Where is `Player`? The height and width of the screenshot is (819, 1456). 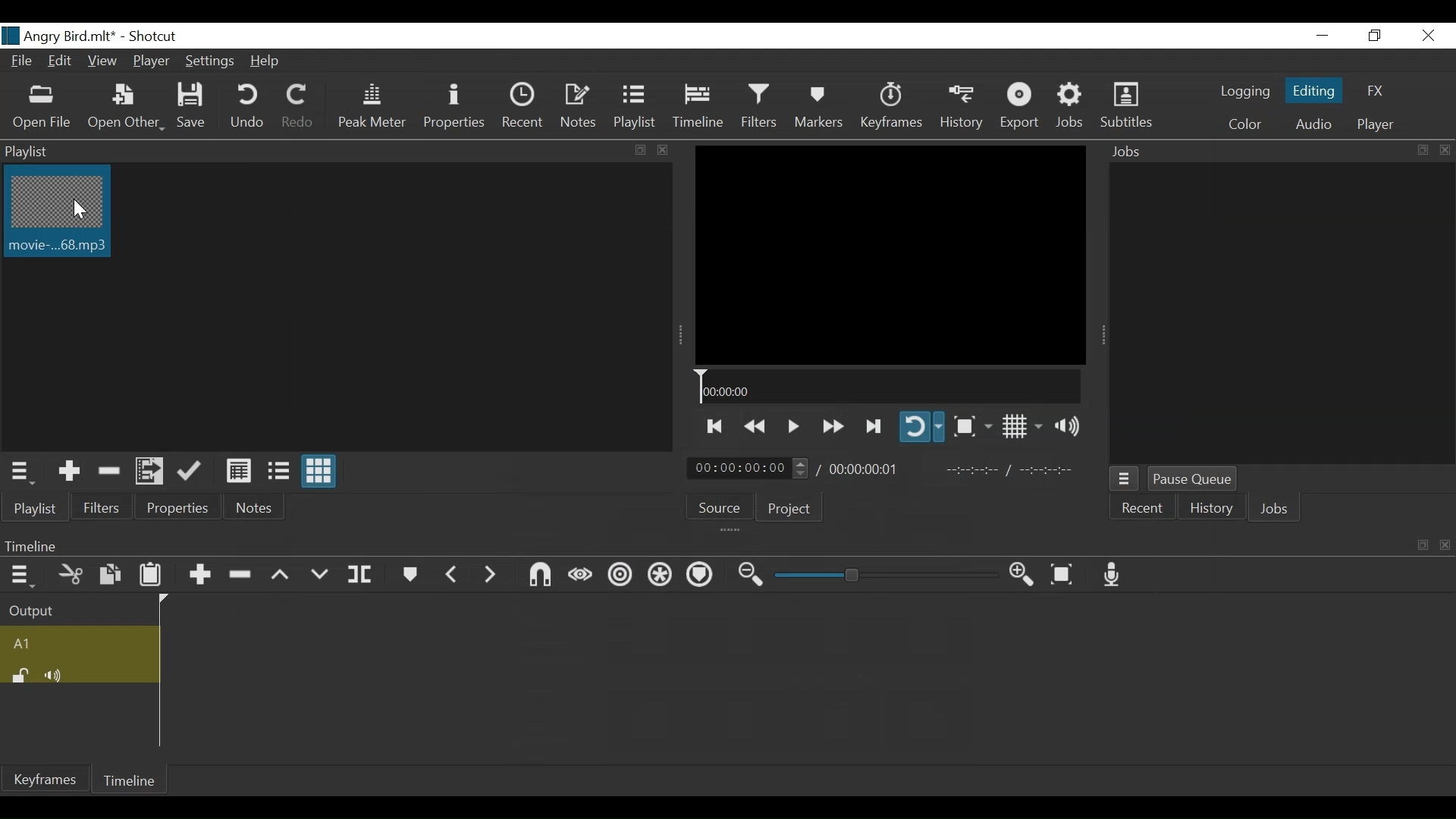 Player is located at coordinates (1373, 126).